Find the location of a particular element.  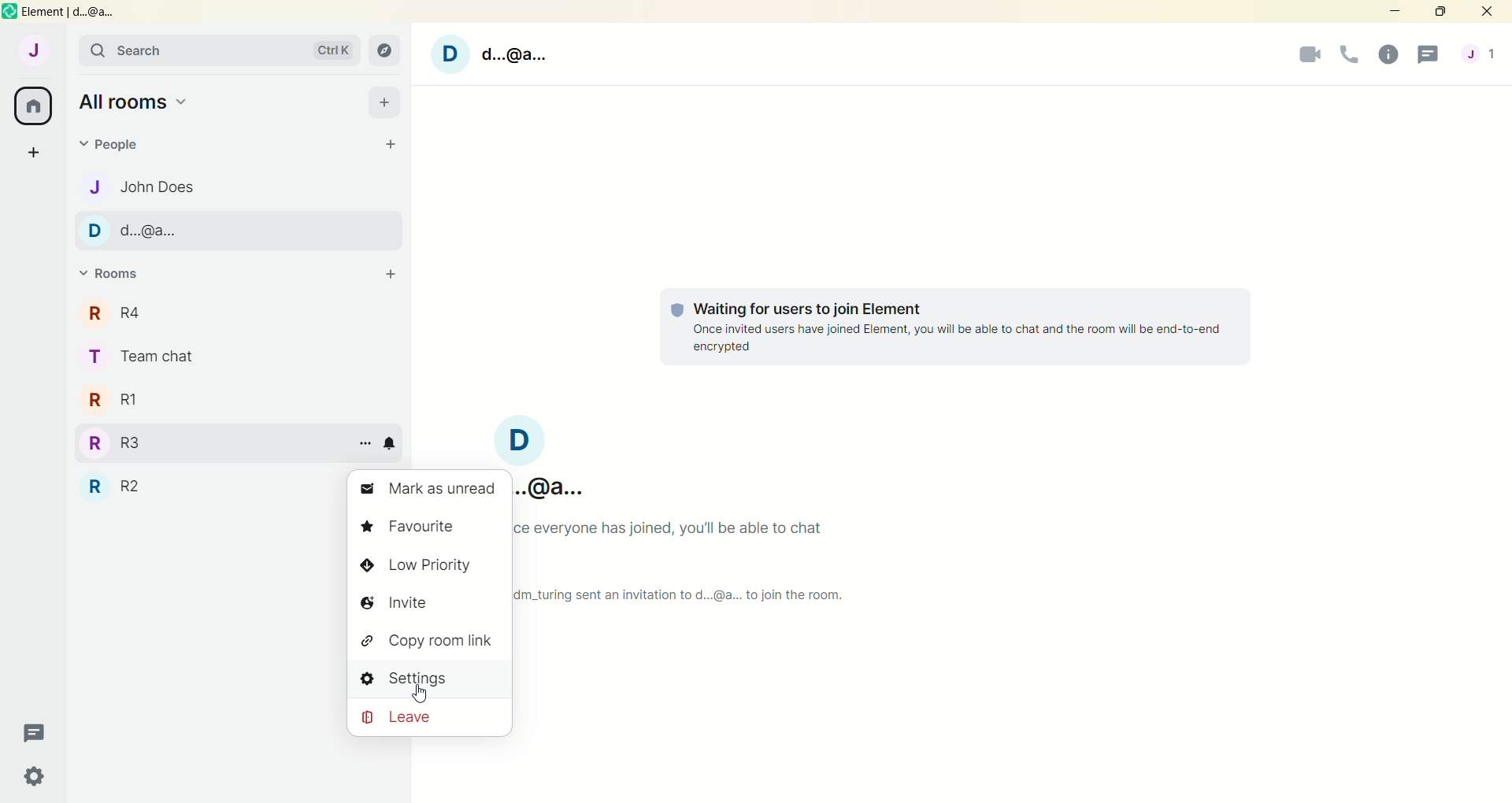

explore rooms is located at coordinates (385, 53).